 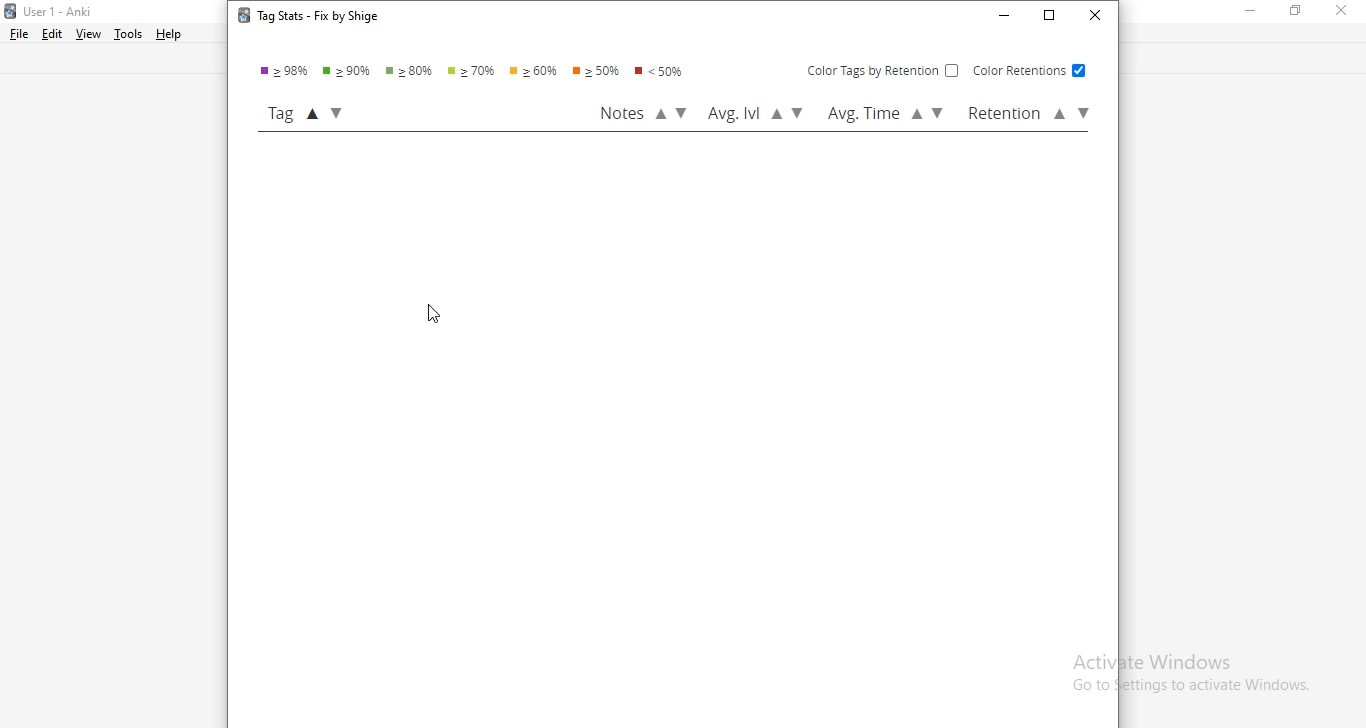 I want to click on >60%, so click(x=534, y=72).